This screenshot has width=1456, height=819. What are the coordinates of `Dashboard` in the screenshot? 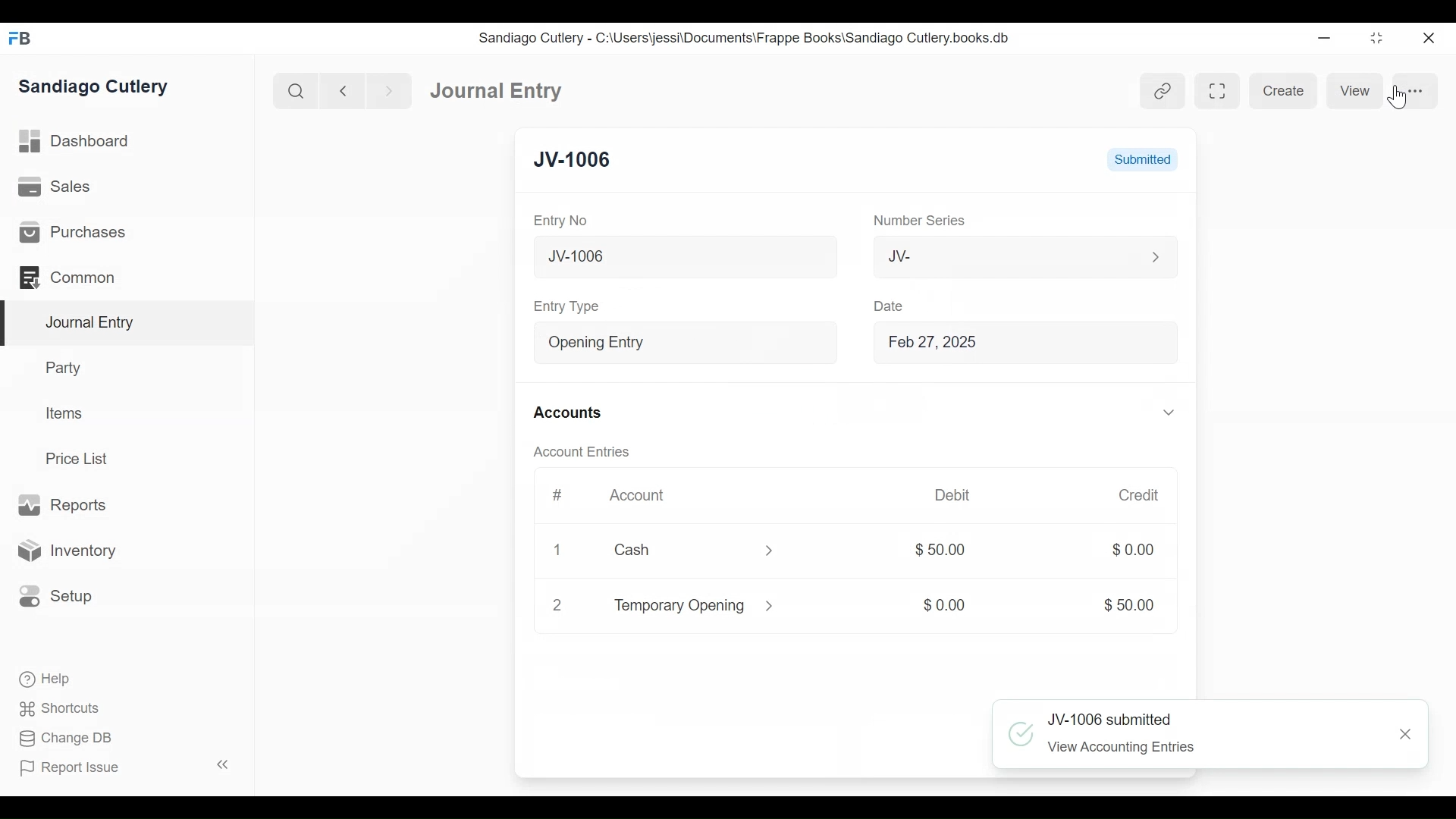 It's located at (75, 142).